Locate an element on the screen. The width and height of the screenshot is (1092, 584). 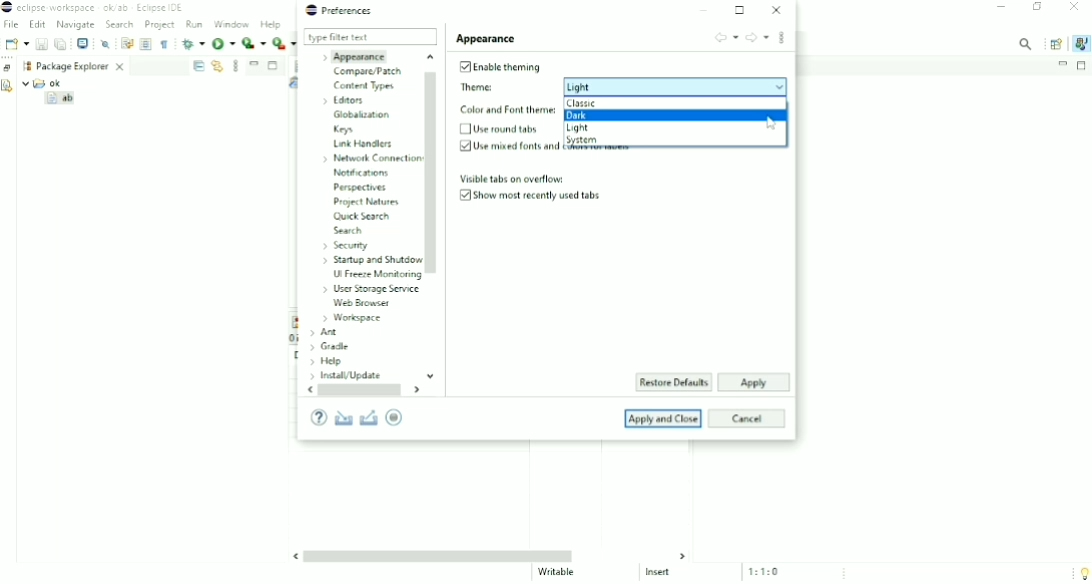
ab is located at coordinates (62, 100).